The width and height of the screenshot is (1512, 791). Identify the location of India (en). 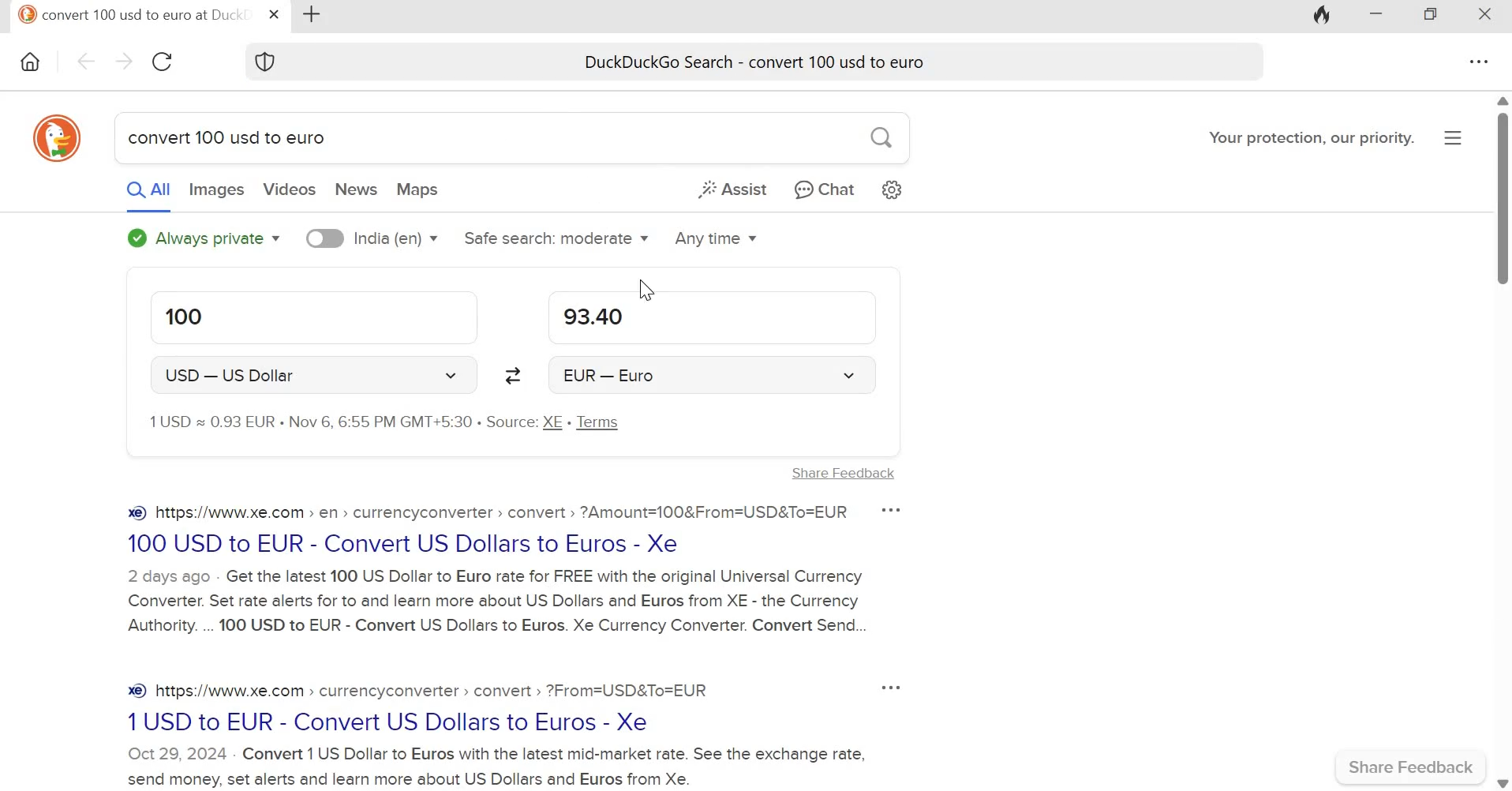
(374, 238).